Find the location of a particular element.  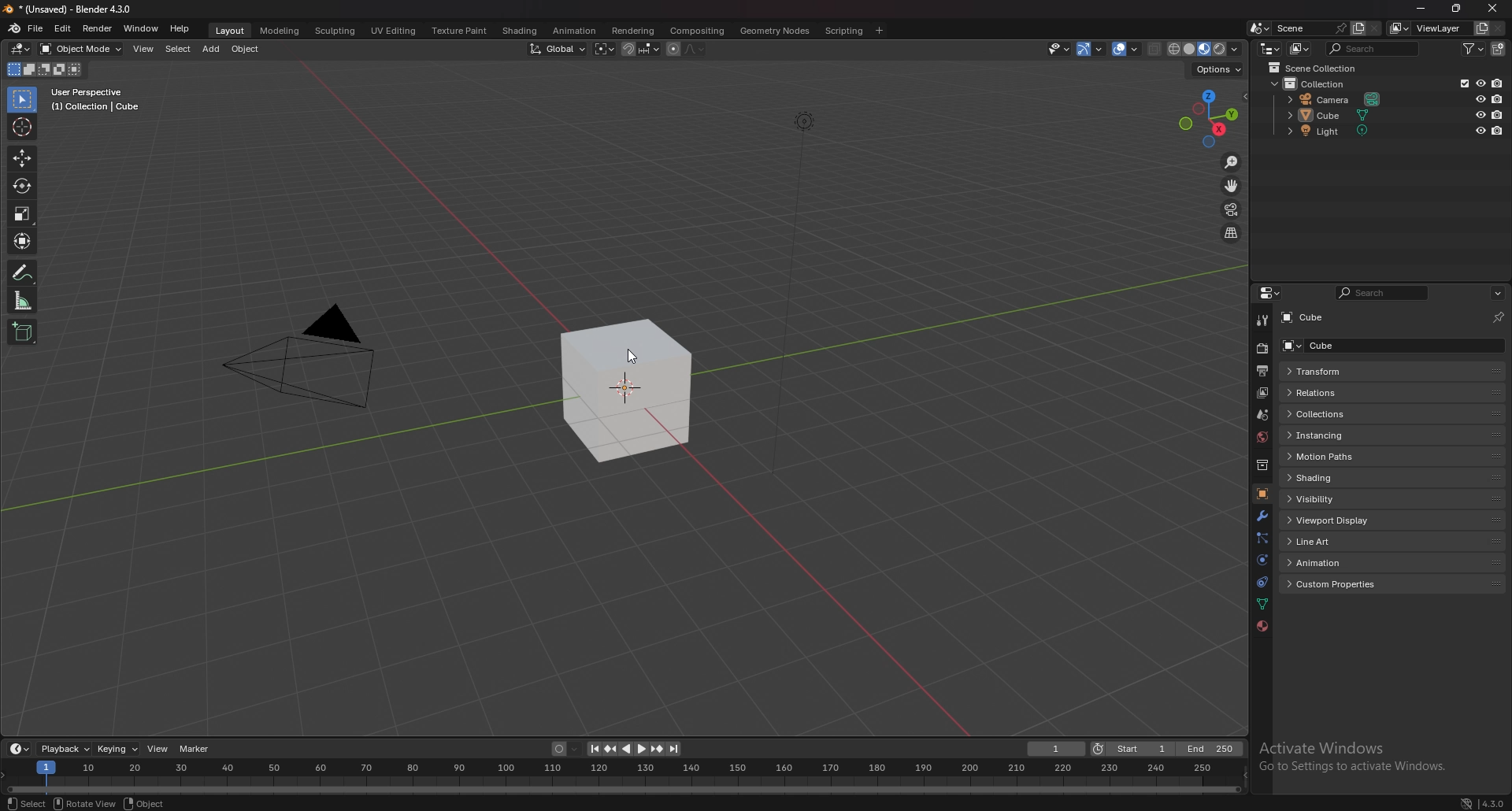

camera is located at coordinates (319, 361).